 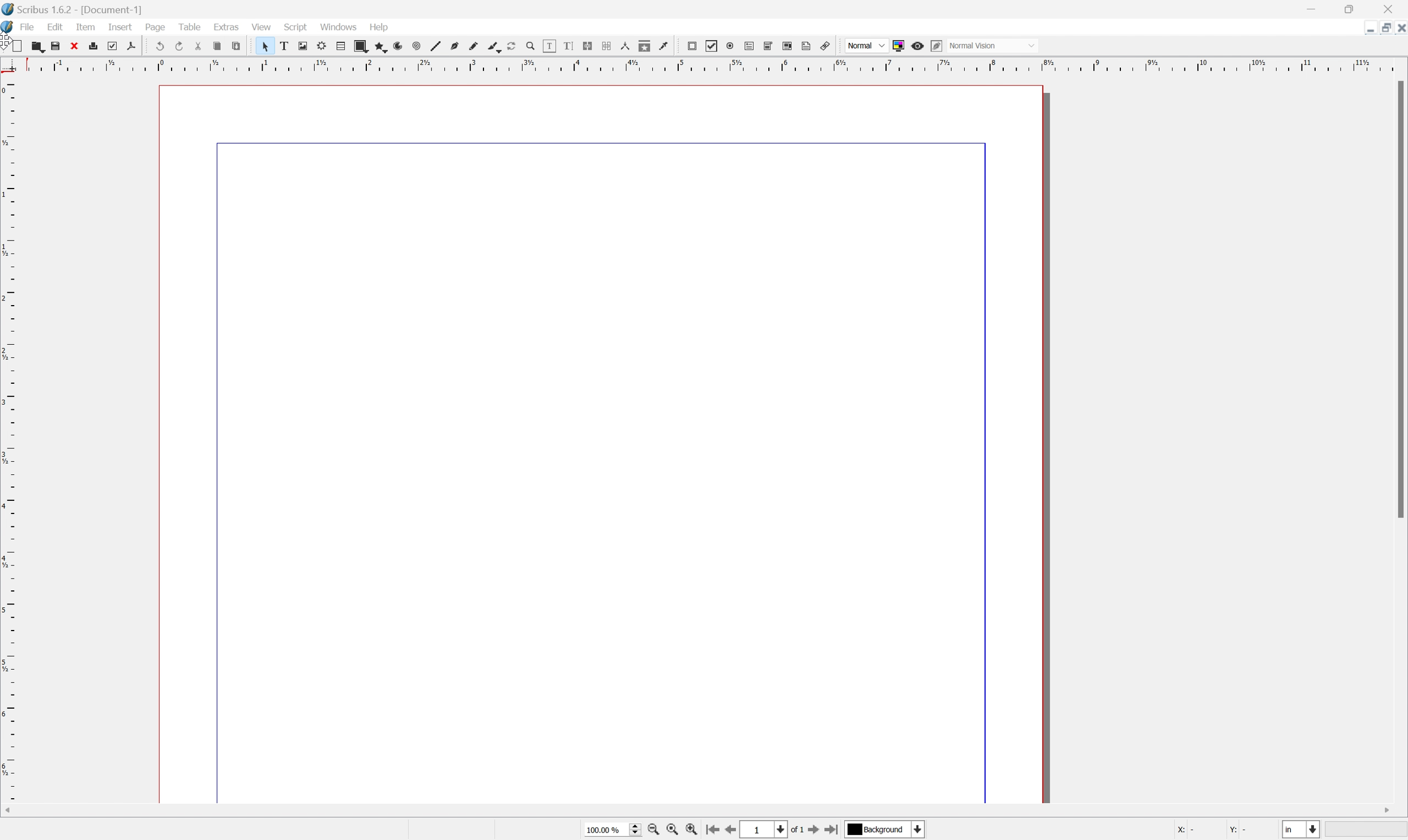 I want to click on ruler, so click(x=11, y=437).